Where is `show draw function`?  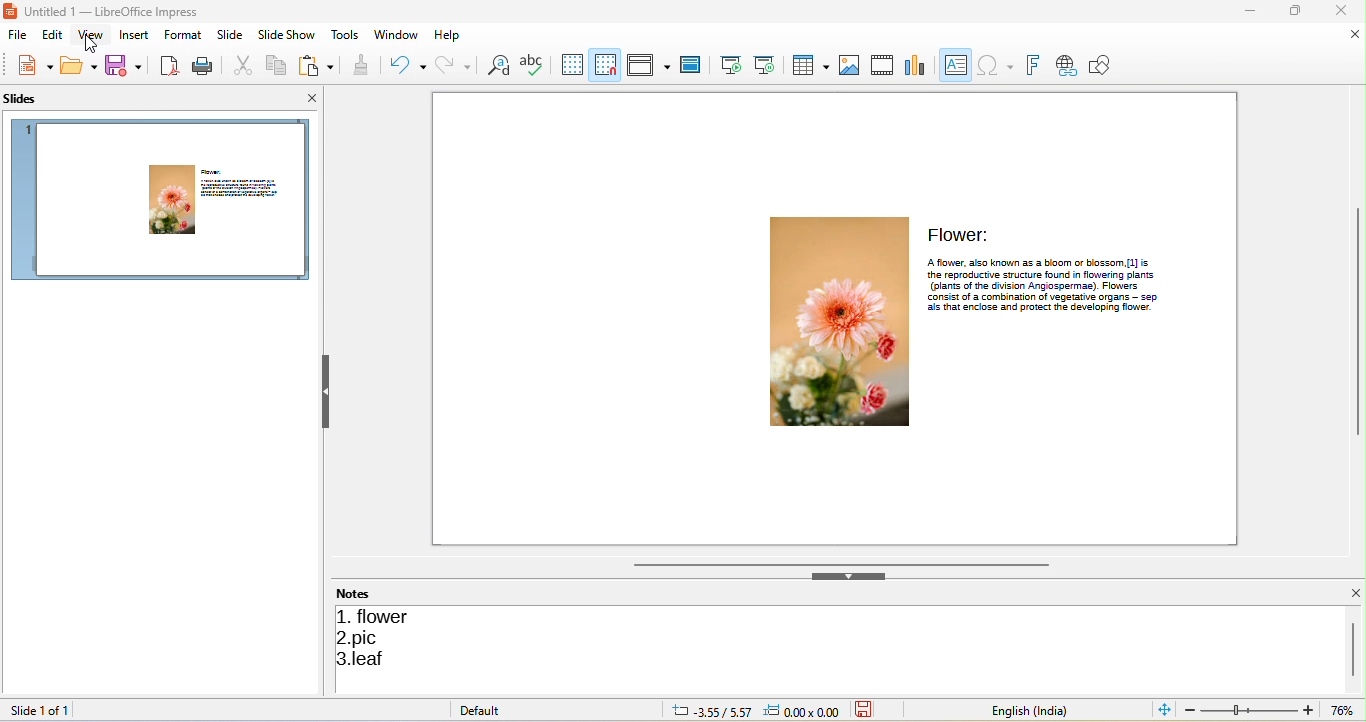 show draw function is located at coordinates (1102, 64).